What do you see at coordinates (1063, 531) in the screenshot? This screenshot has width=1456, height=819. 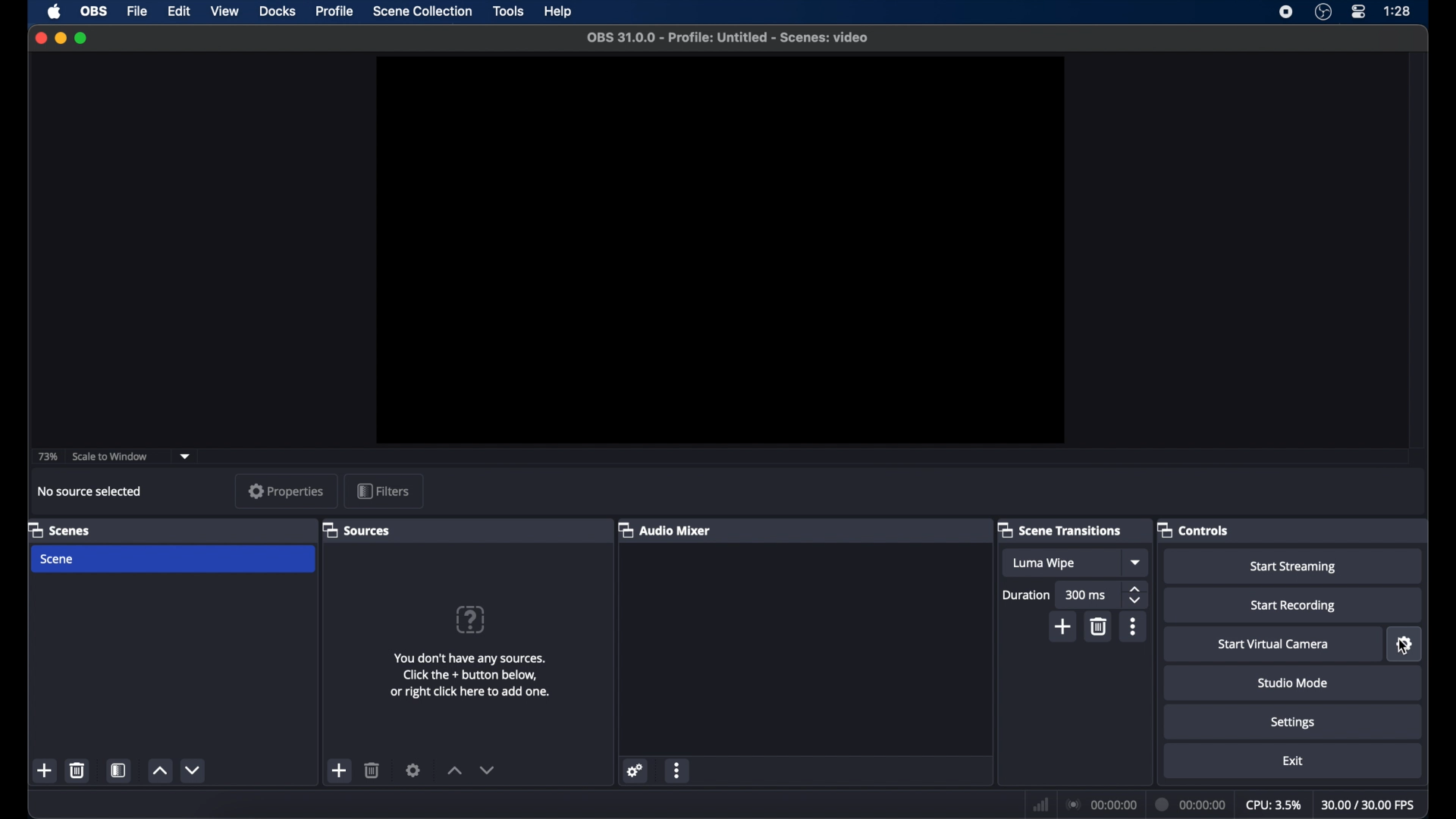 I see `scene transitions` at bounding box center [1063, 531].